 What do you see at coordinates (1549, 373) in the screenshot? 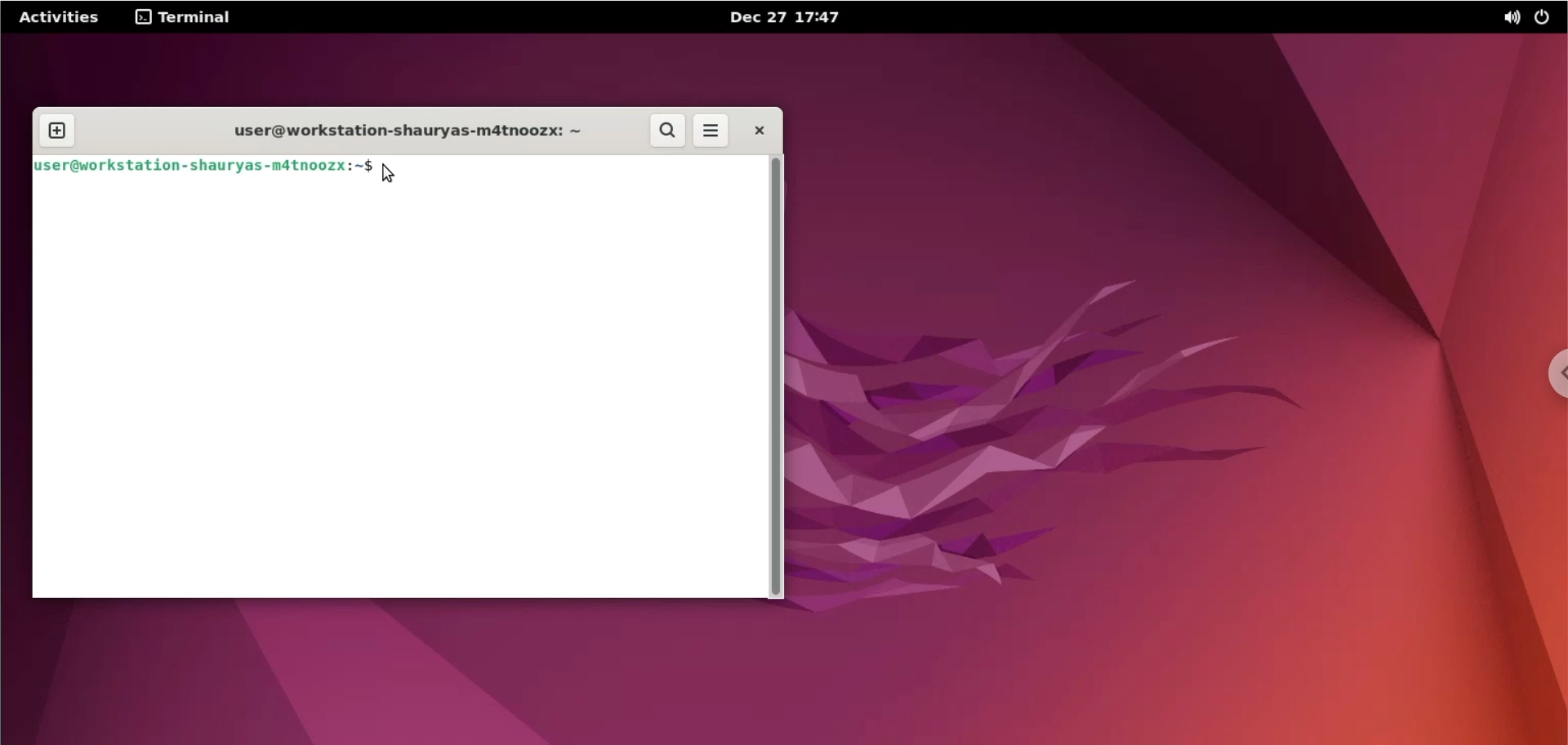
I see `chrome options` at bounding box center [1549, 373].